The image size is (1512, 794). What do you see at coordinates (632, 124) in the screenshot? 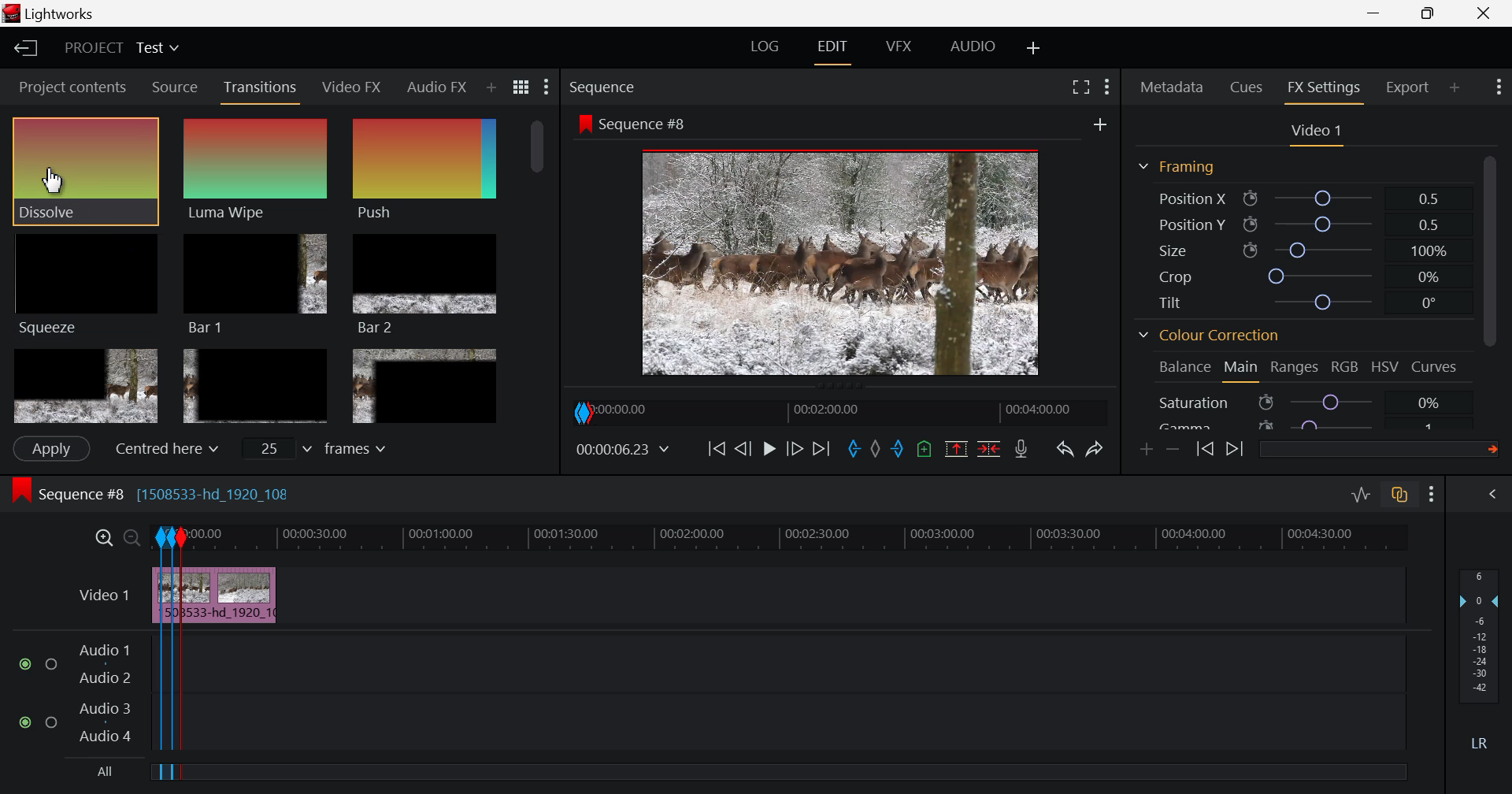
I see `Sequence #8` at bounding box center [632, 124].